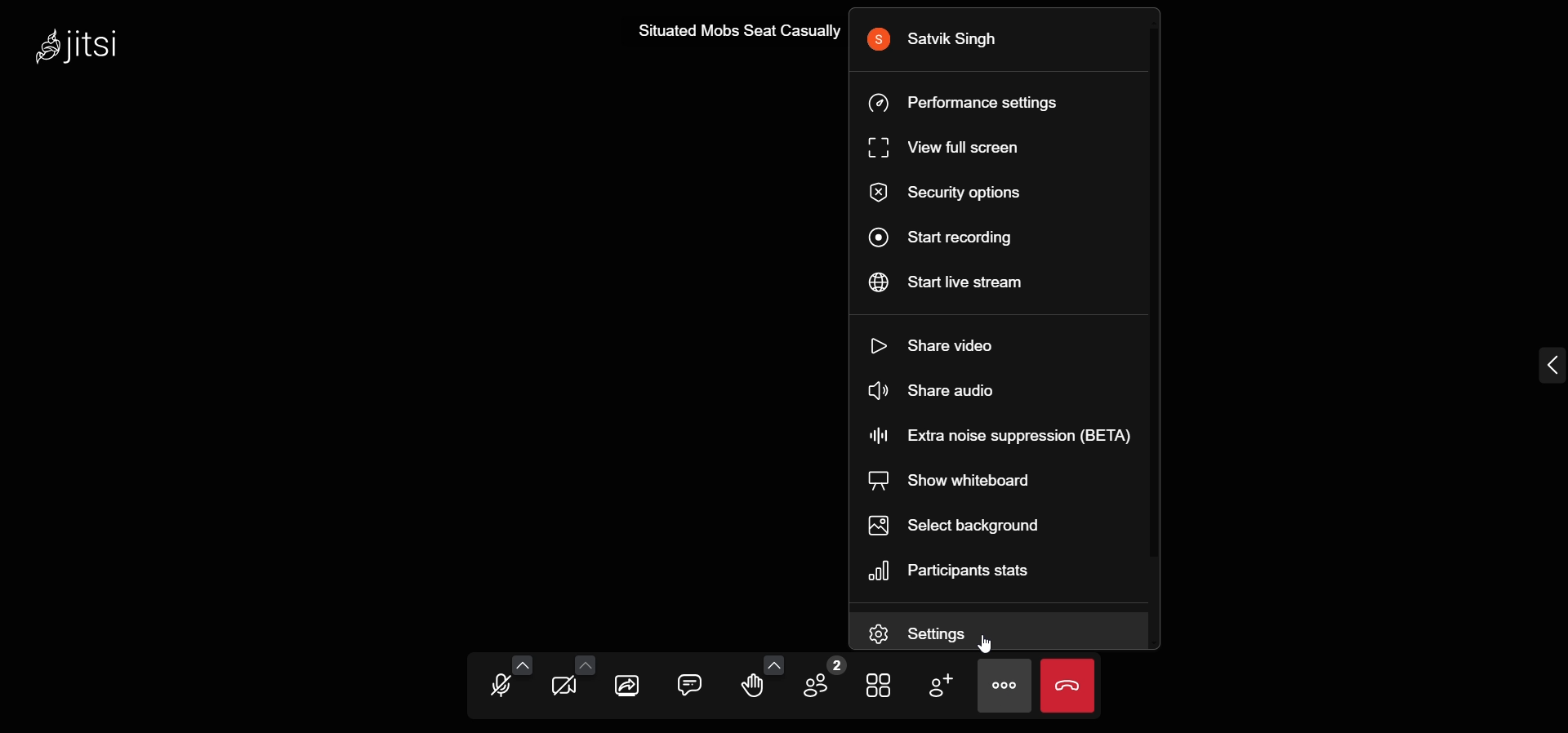 The height and width of the screenshot is (733, 1568). Describe the element at coordinates (950, 236) in the screenshot. I see `start recording` at that location.